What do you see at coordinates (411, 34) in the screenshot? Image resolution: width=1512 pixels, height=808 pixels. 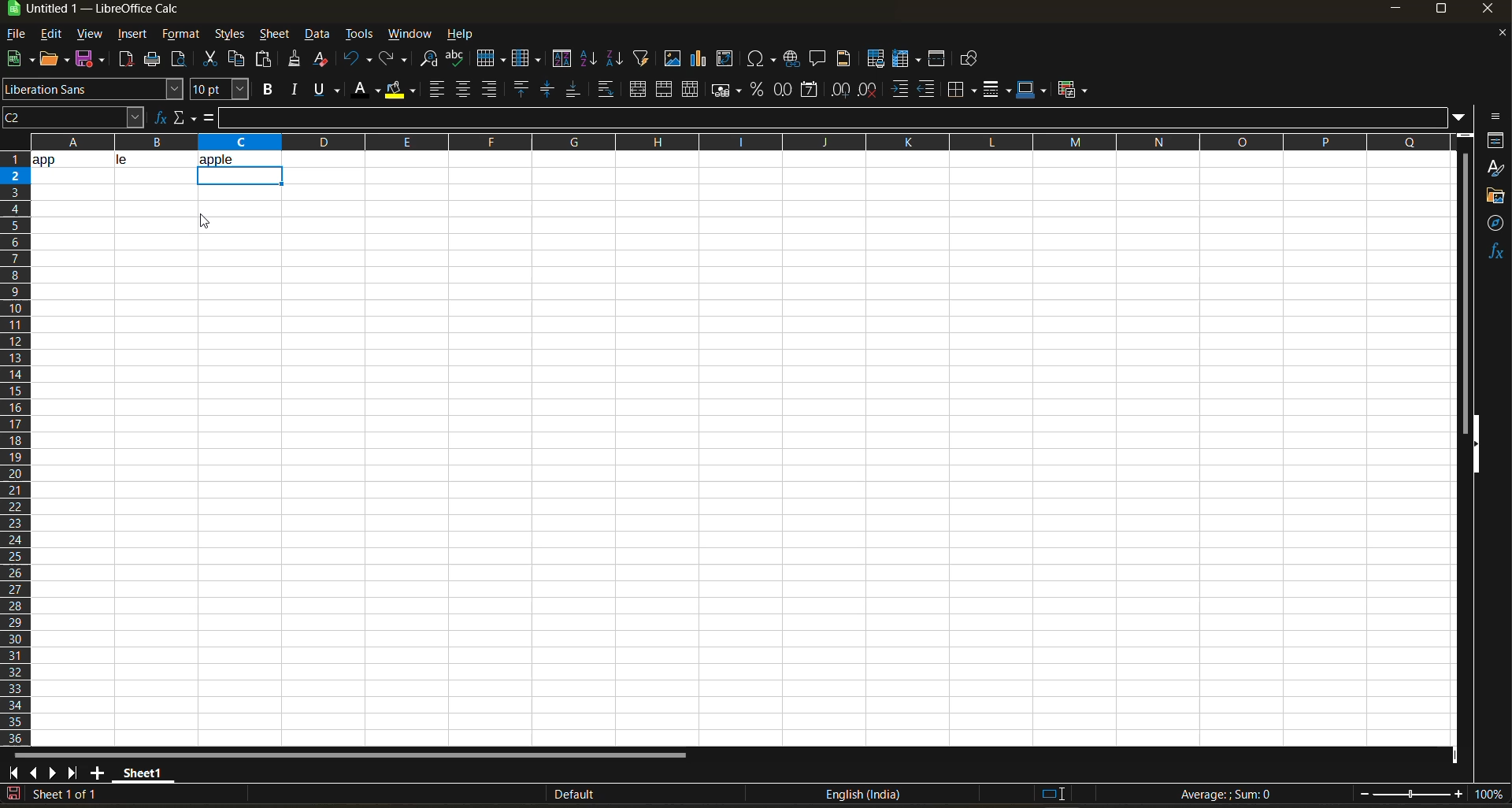 I see `window` at bounding box center [411, 34].